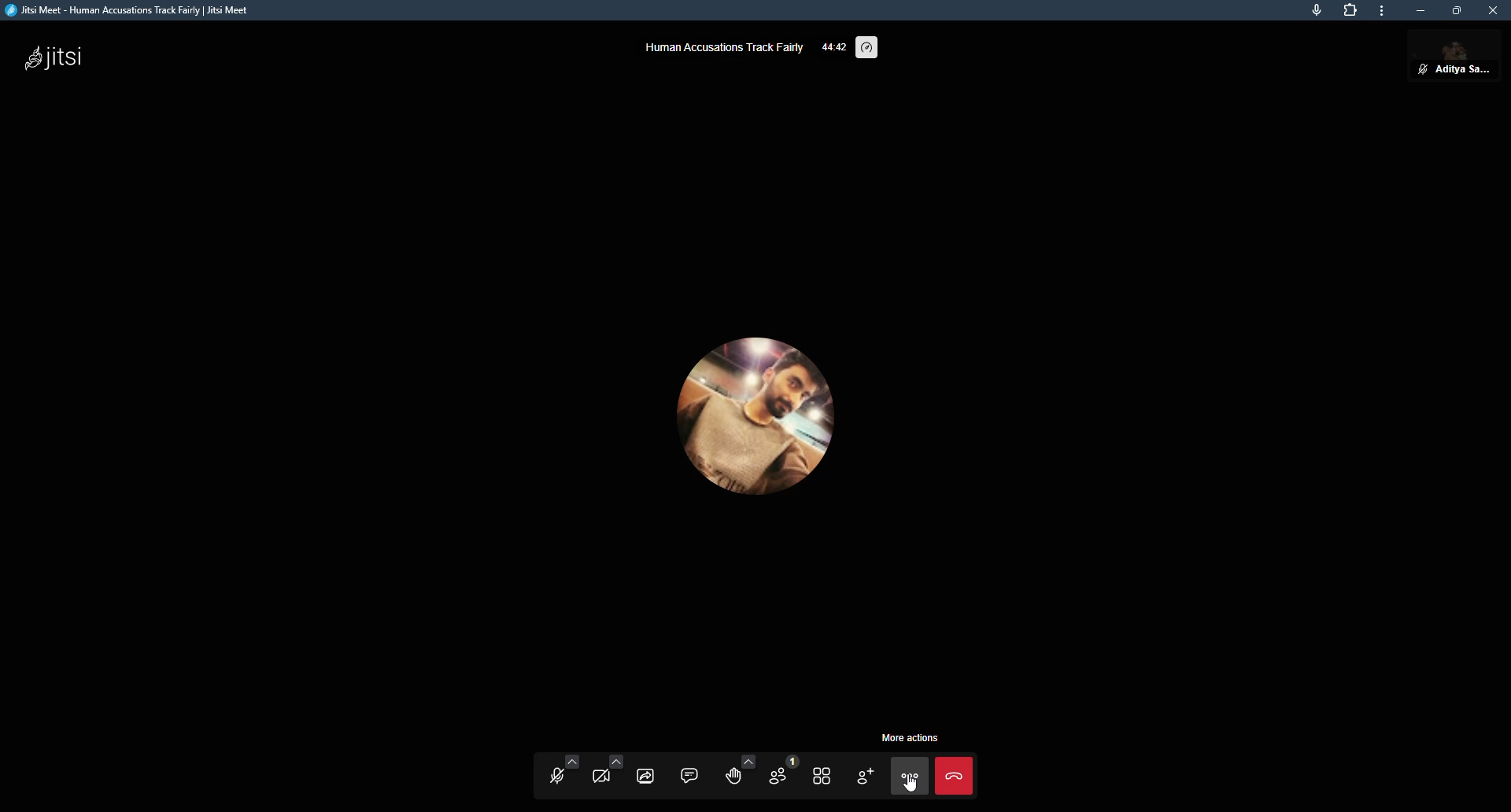 Image resolution: width=1511 pixels, height=812 pixels. What do you see at coordinates (1465, 56) in the screenshot?
I see `profile` at bounding box center [1465, 56].